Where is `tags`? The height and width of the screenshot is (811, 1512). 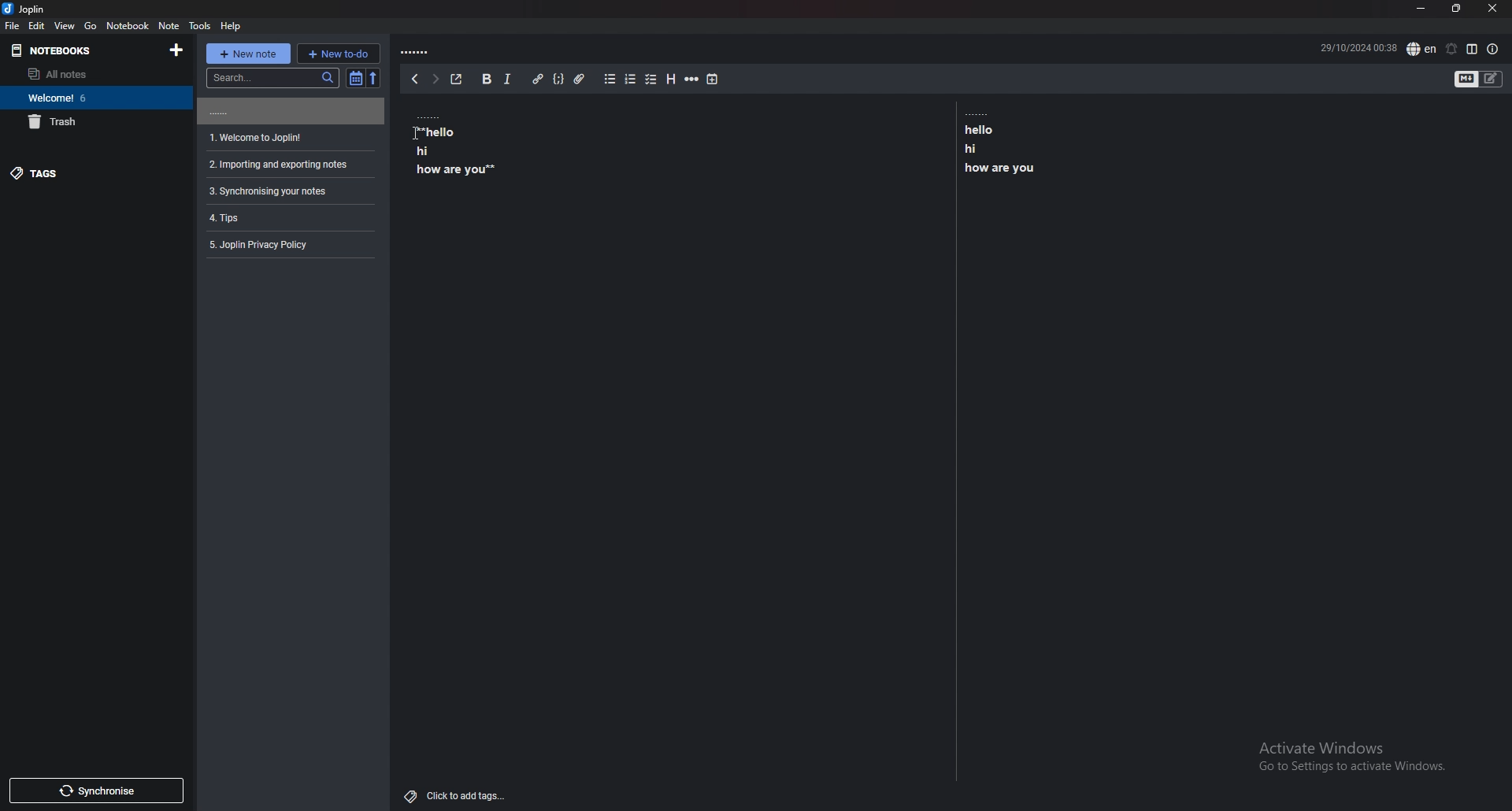
tags is located at coordinates (91, 174).